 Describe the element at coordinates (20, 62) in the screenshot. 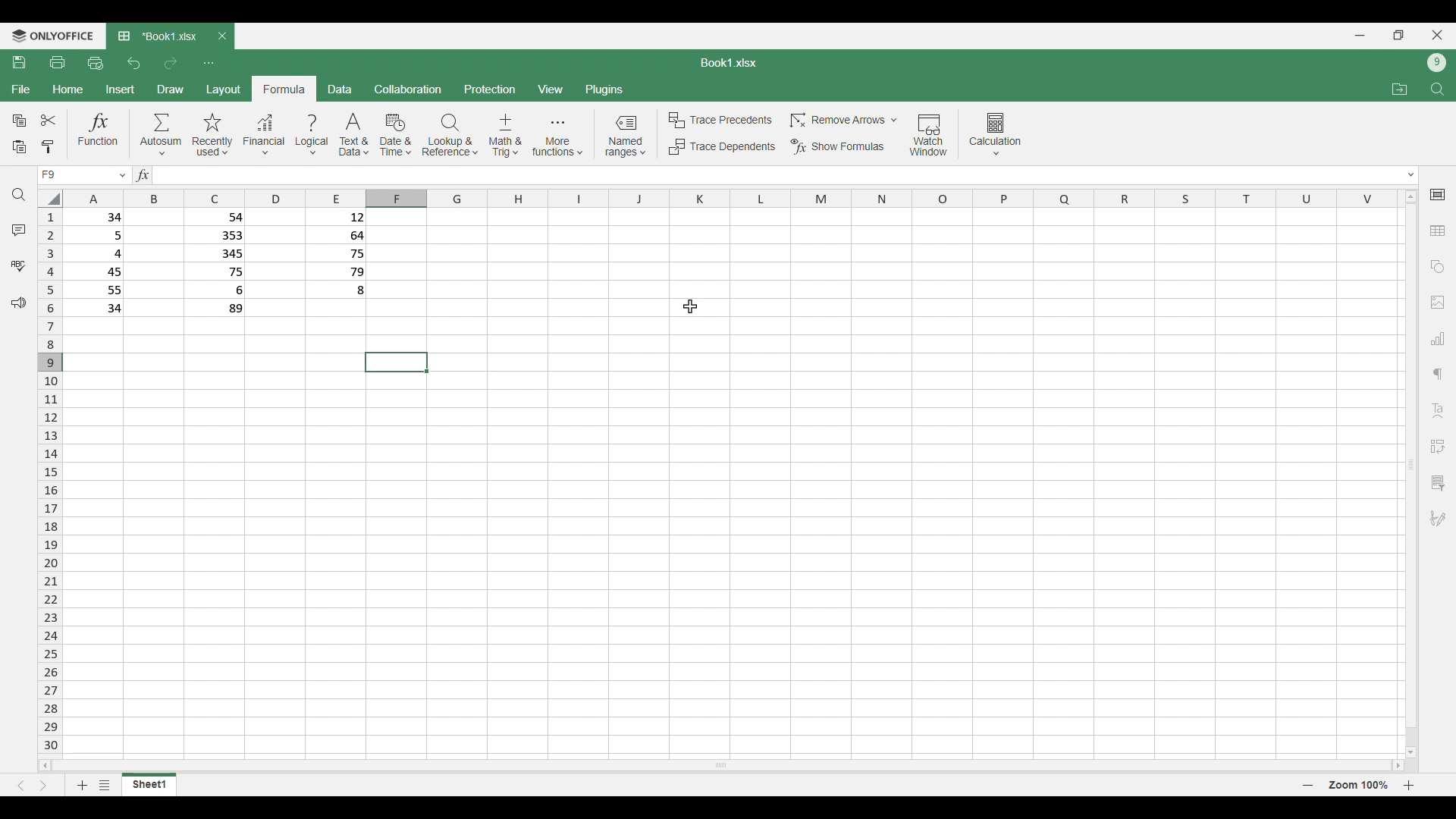

I see `Save` at that location.